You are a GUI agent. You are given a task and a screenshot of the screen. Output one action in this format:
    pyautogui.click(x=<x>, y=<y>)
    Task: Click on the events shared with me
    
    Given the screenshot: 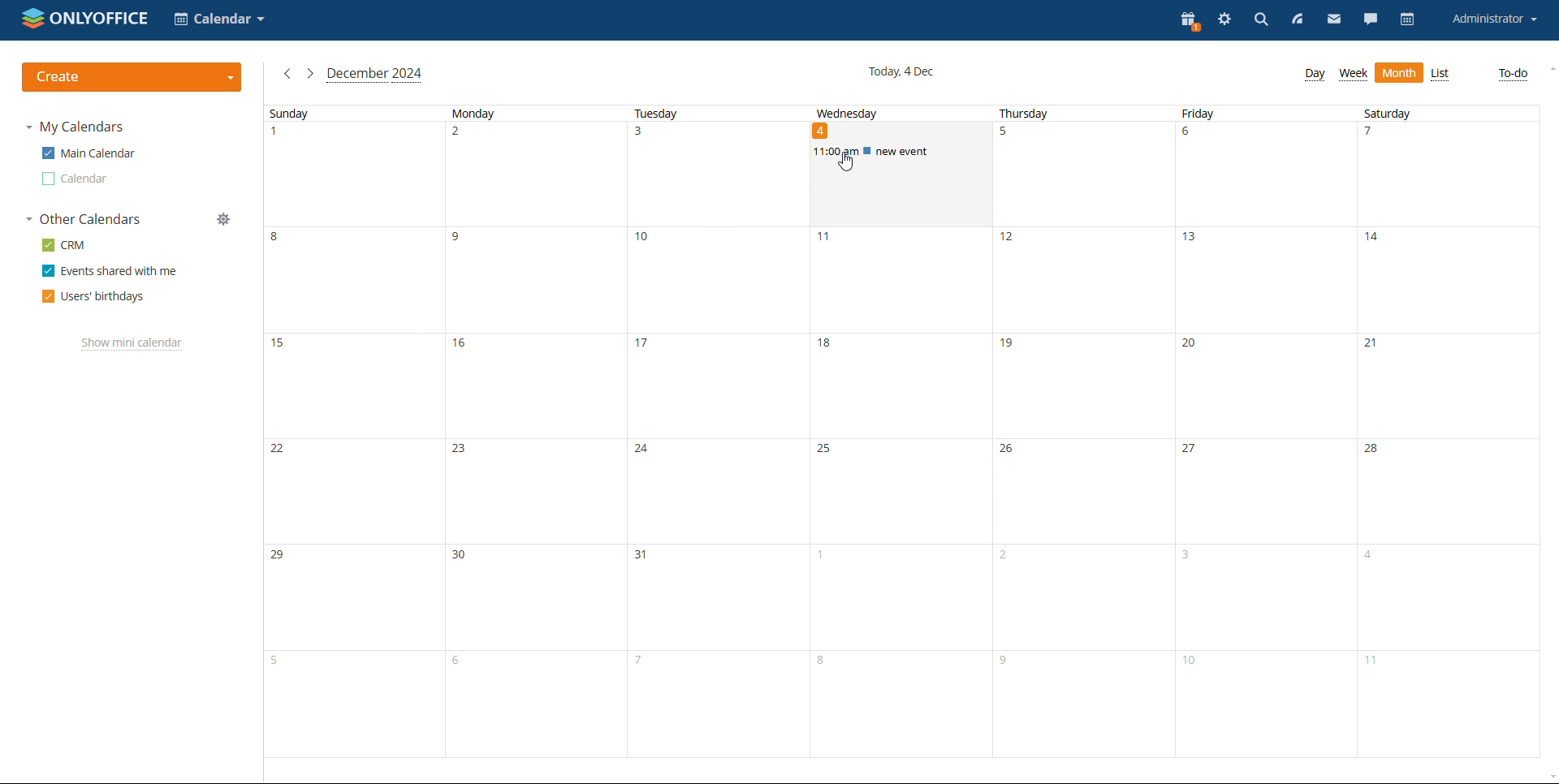 What is the action you would take?
    pyautogui.click(x=110, y=271)
    